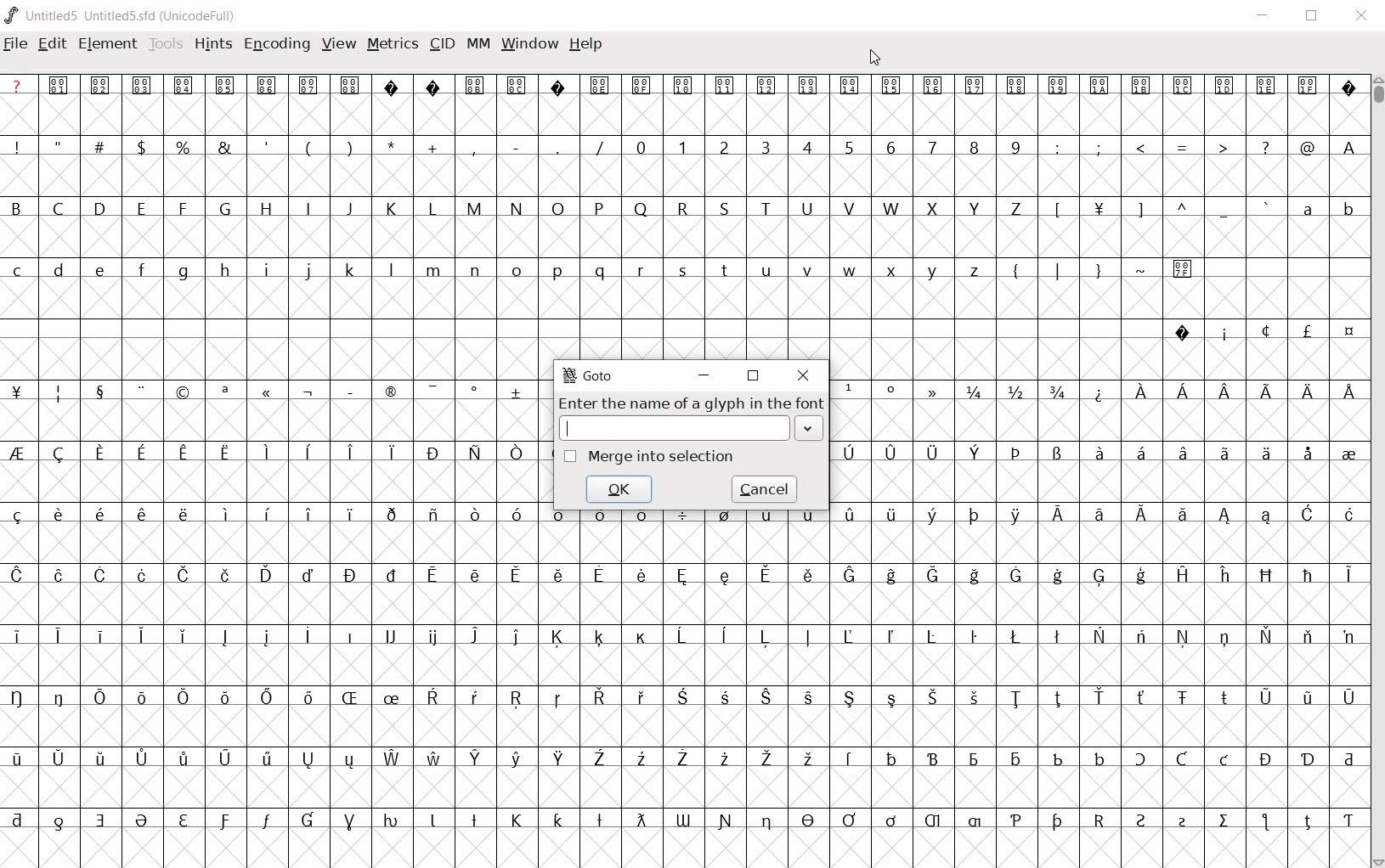 The width and height of the screenshot is (1385, 868). What do you see at coordinates (935, 822) in the screenshot?
I see `Symbol` at bounding box center [935, 822].